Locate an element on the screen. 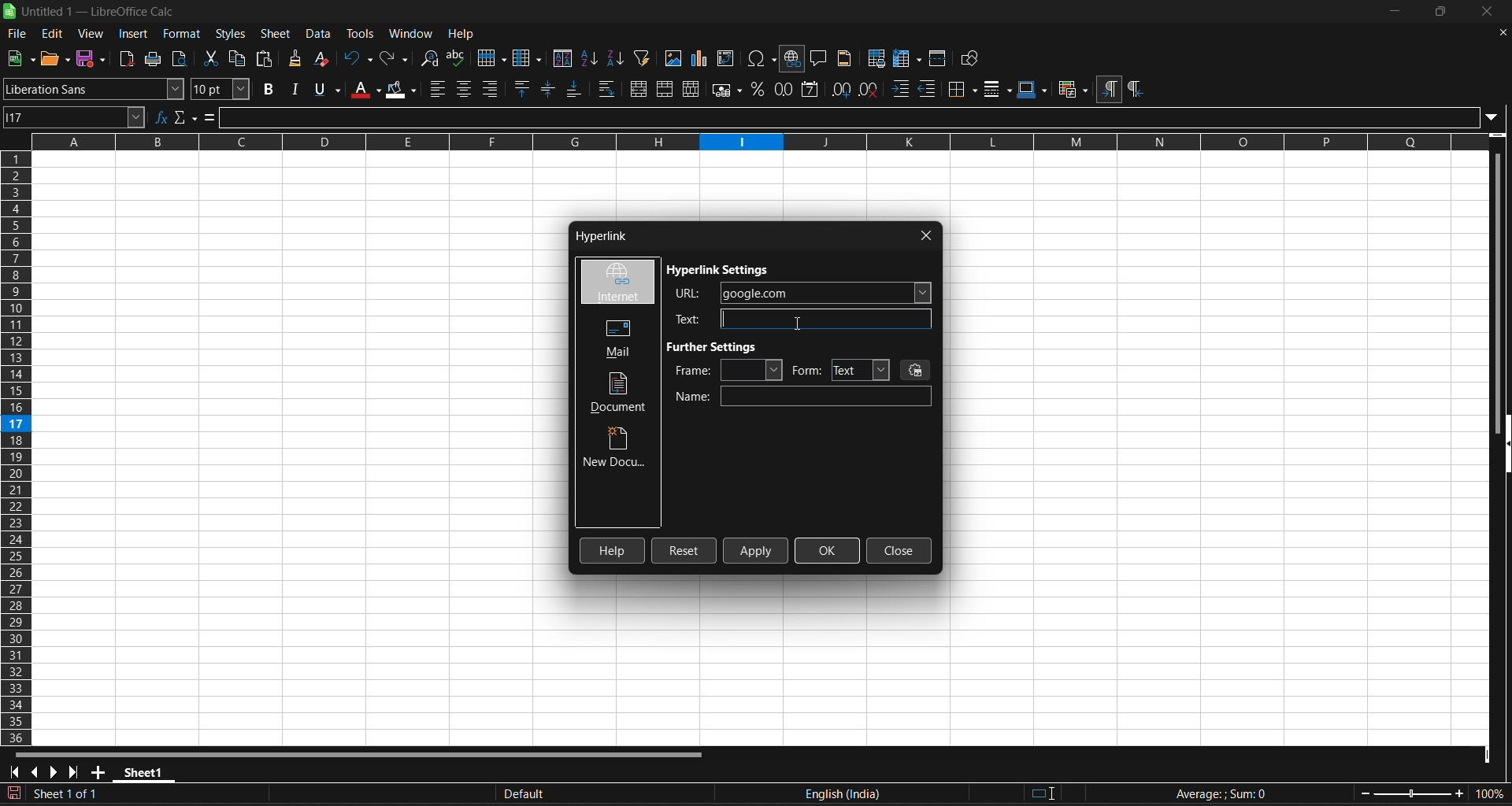 Image resolution: width=1512 pixels, height=806 pixels. format as percent is located at coordinates (757, 90).